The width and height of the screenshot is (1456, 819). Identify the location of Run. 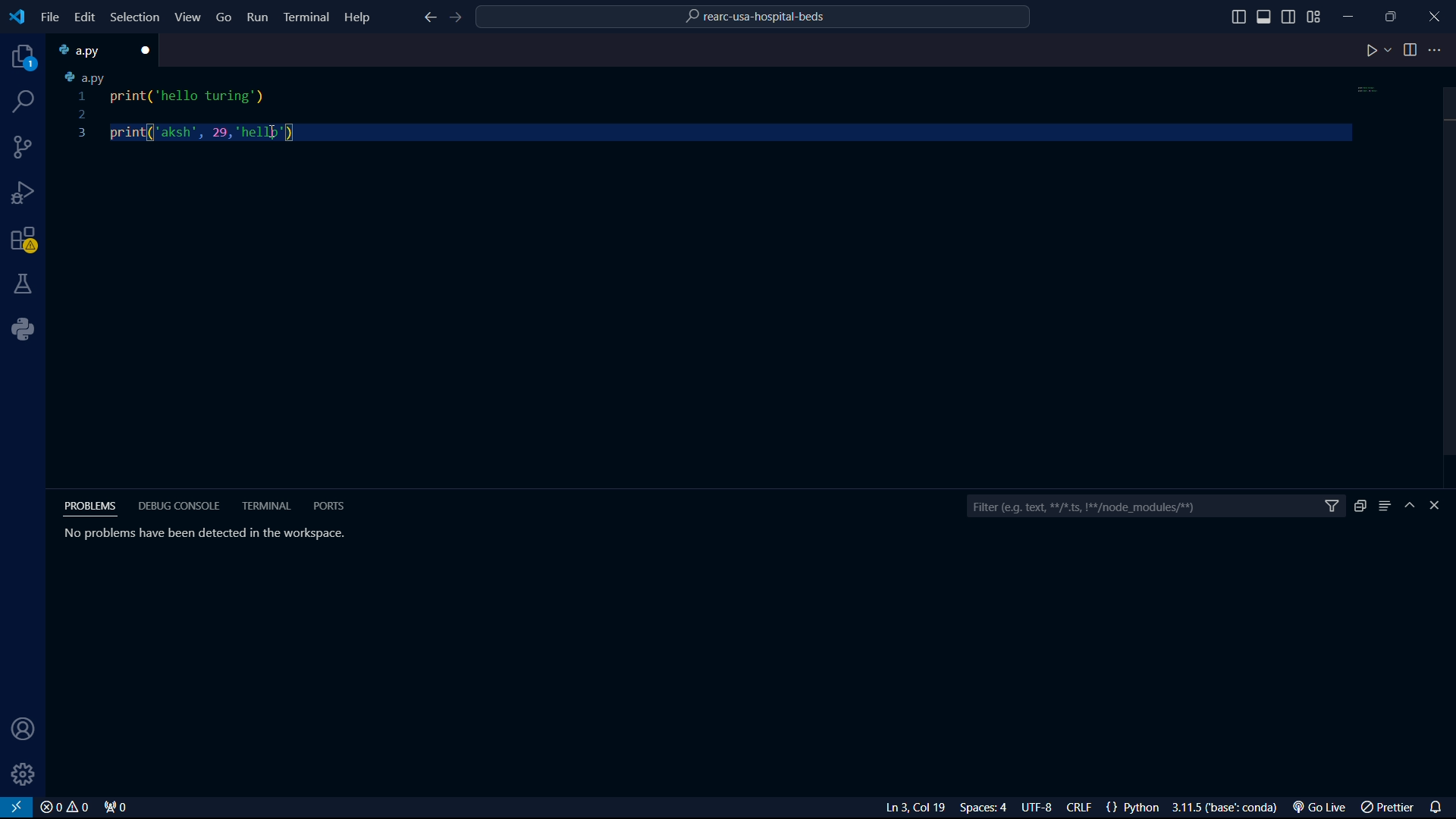
(259, 20).